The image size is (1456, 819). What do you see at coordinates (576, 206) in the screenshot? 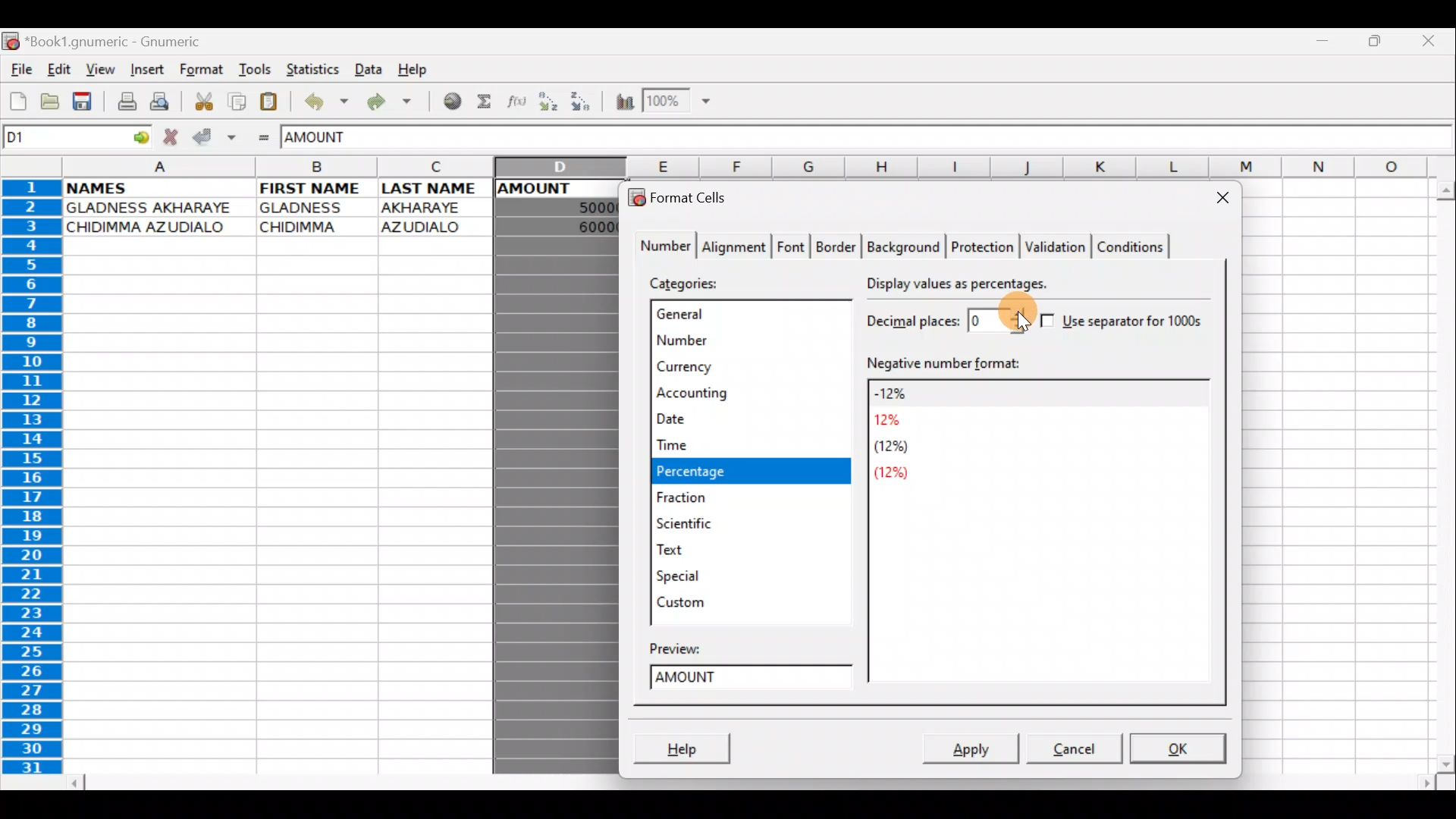
I see `50000` at bounding box center [576, 206].